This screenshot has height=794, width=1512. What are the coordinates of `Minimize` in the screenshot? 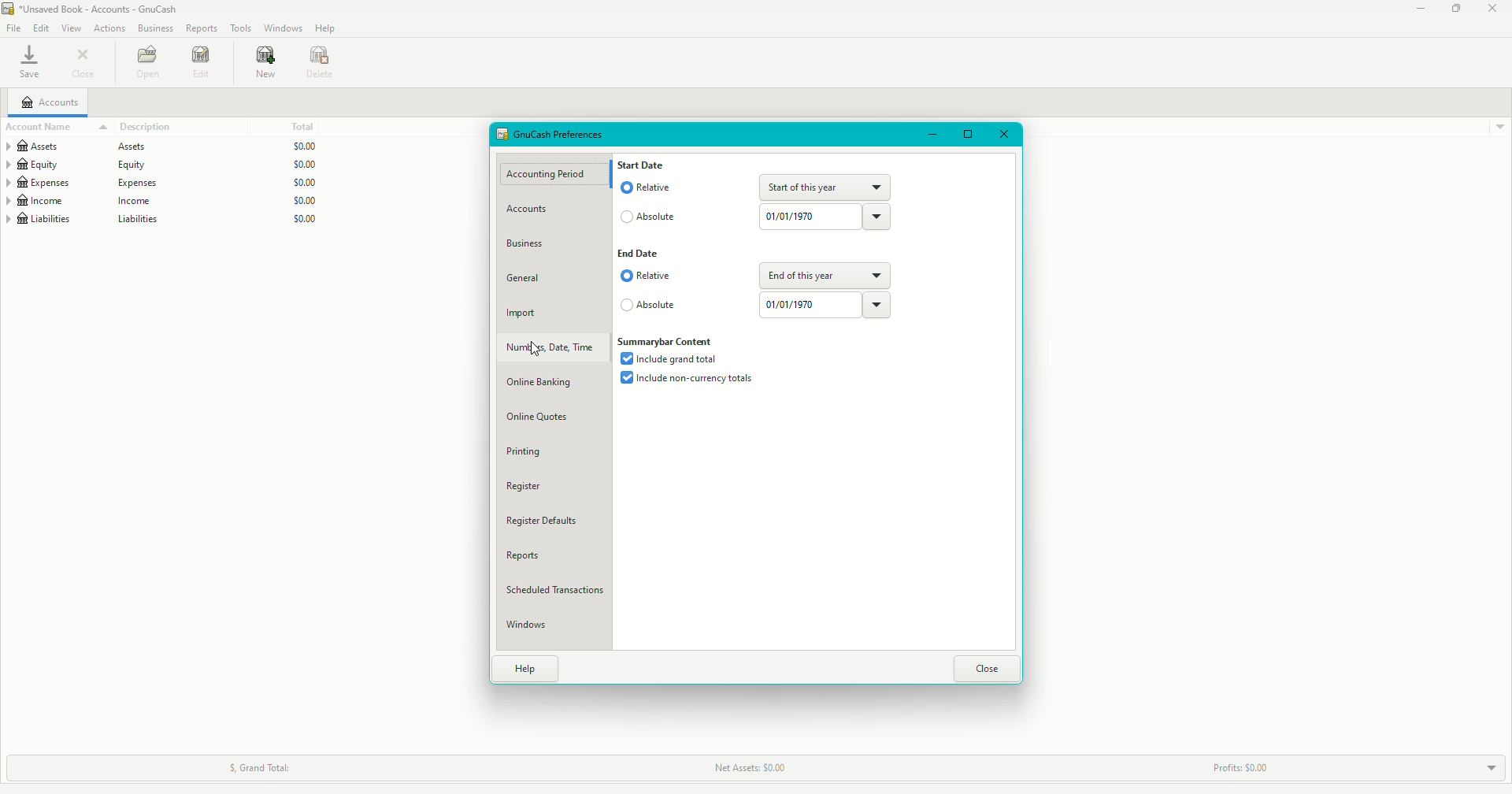 It's located at (934, 134).